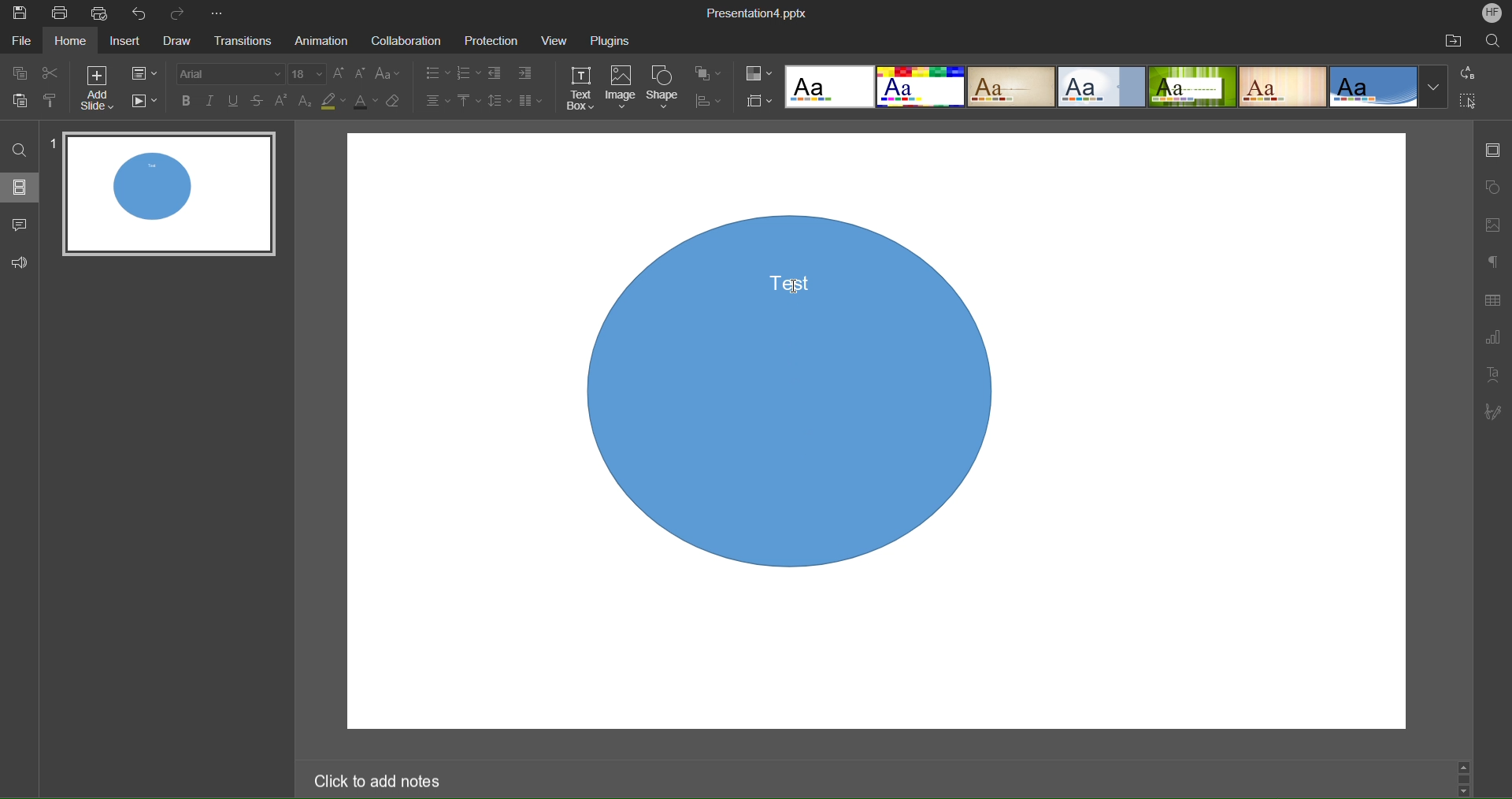  What do you see at coordinates (1498, 40) in the screenshot?
I see `Search` at bounding box center [1498, 40].